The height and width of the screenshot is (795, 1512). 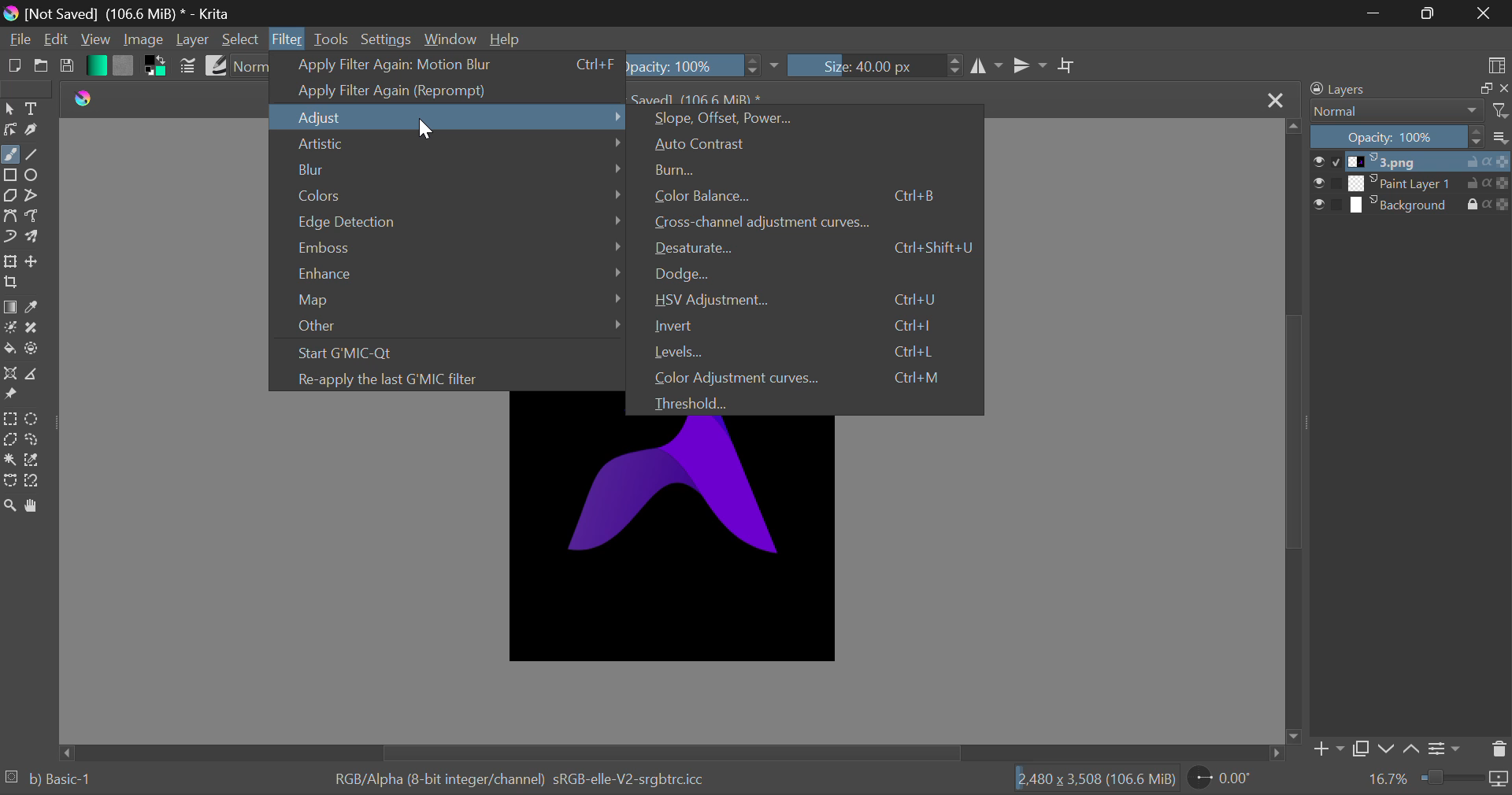 I want to click on Reference Images, so click(x=13, y=397).